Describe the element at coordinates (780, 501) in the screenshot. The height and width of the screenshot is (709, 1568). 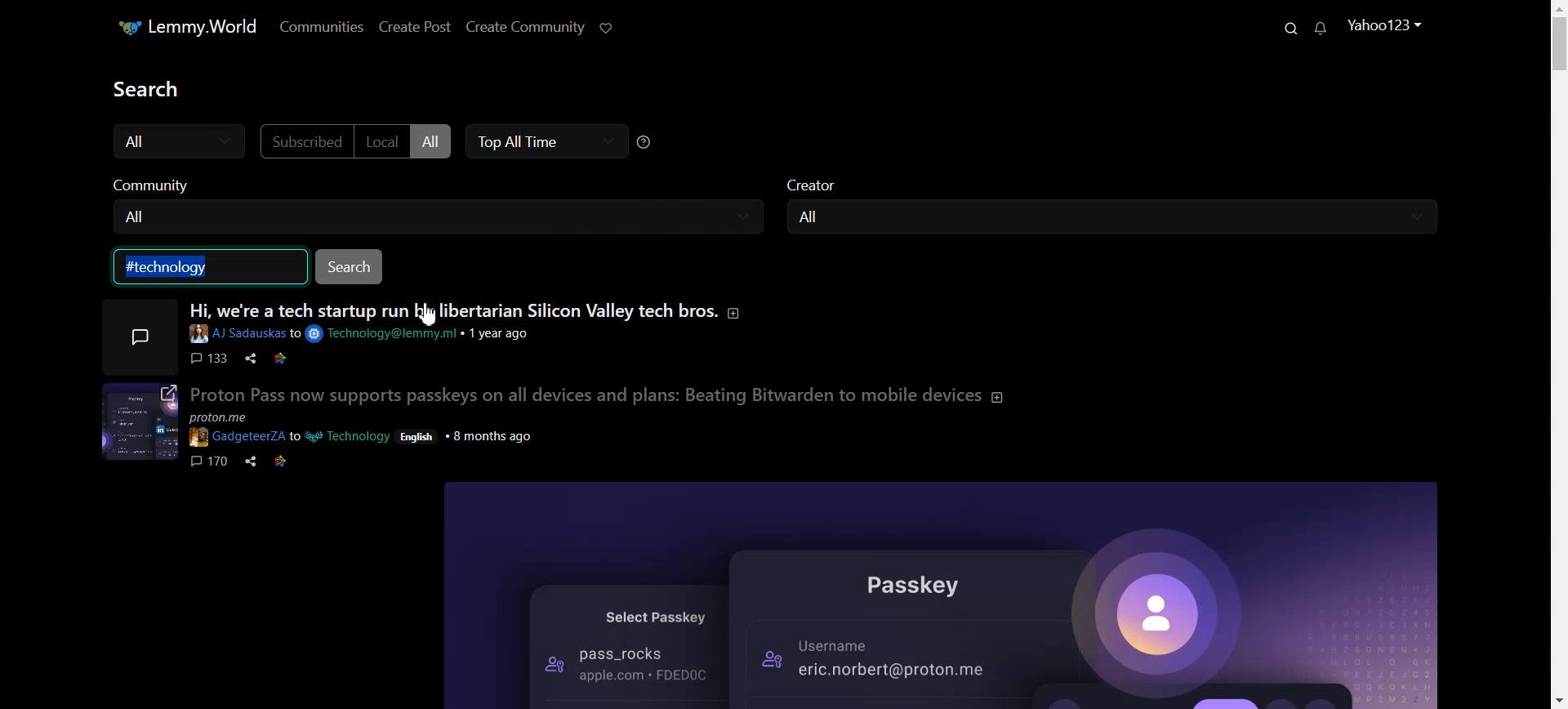
I see `Posts` at that location.